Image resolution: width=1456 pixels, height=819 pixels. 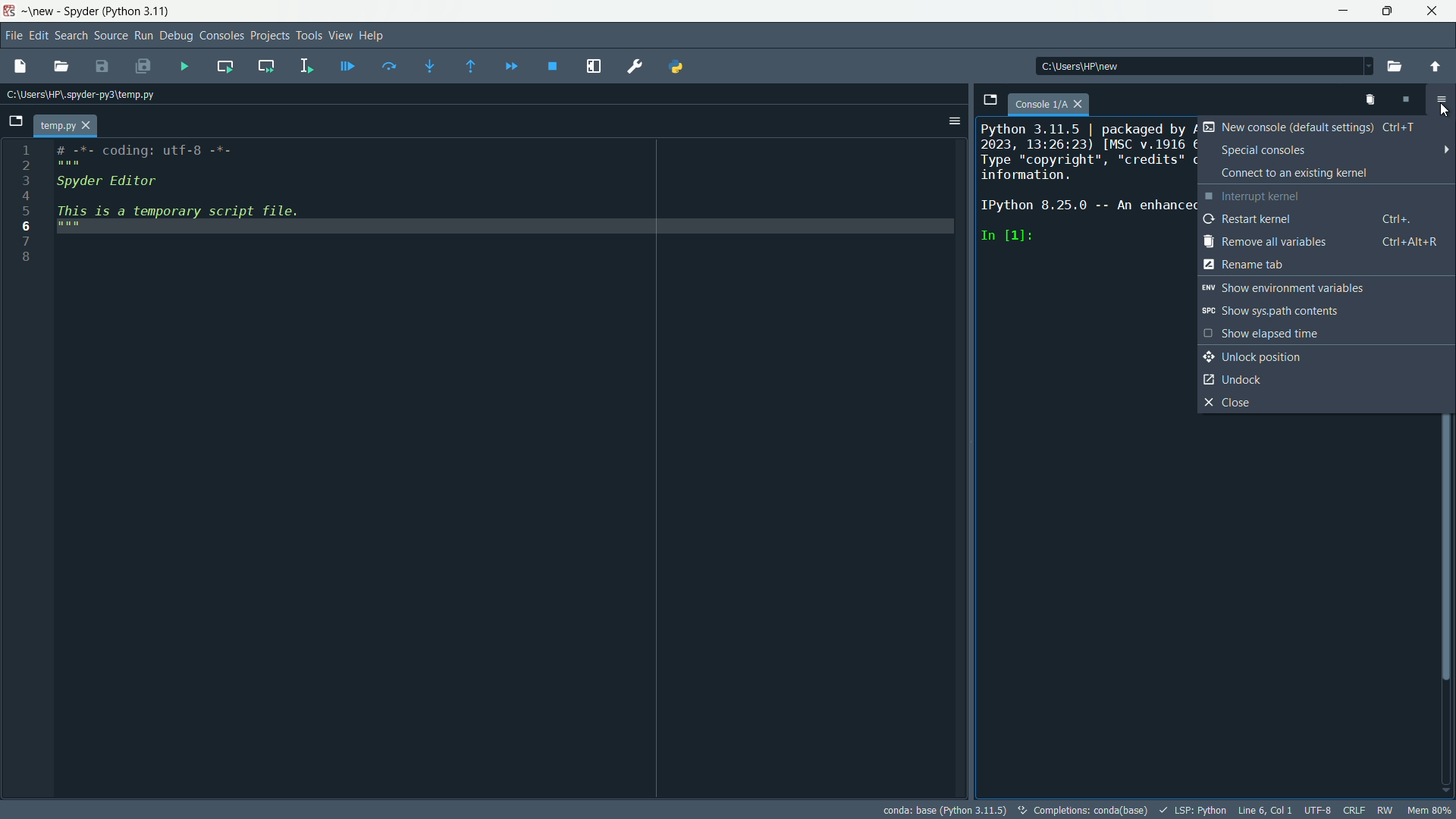 I want to click on debug file, so click(x=347, y=64).